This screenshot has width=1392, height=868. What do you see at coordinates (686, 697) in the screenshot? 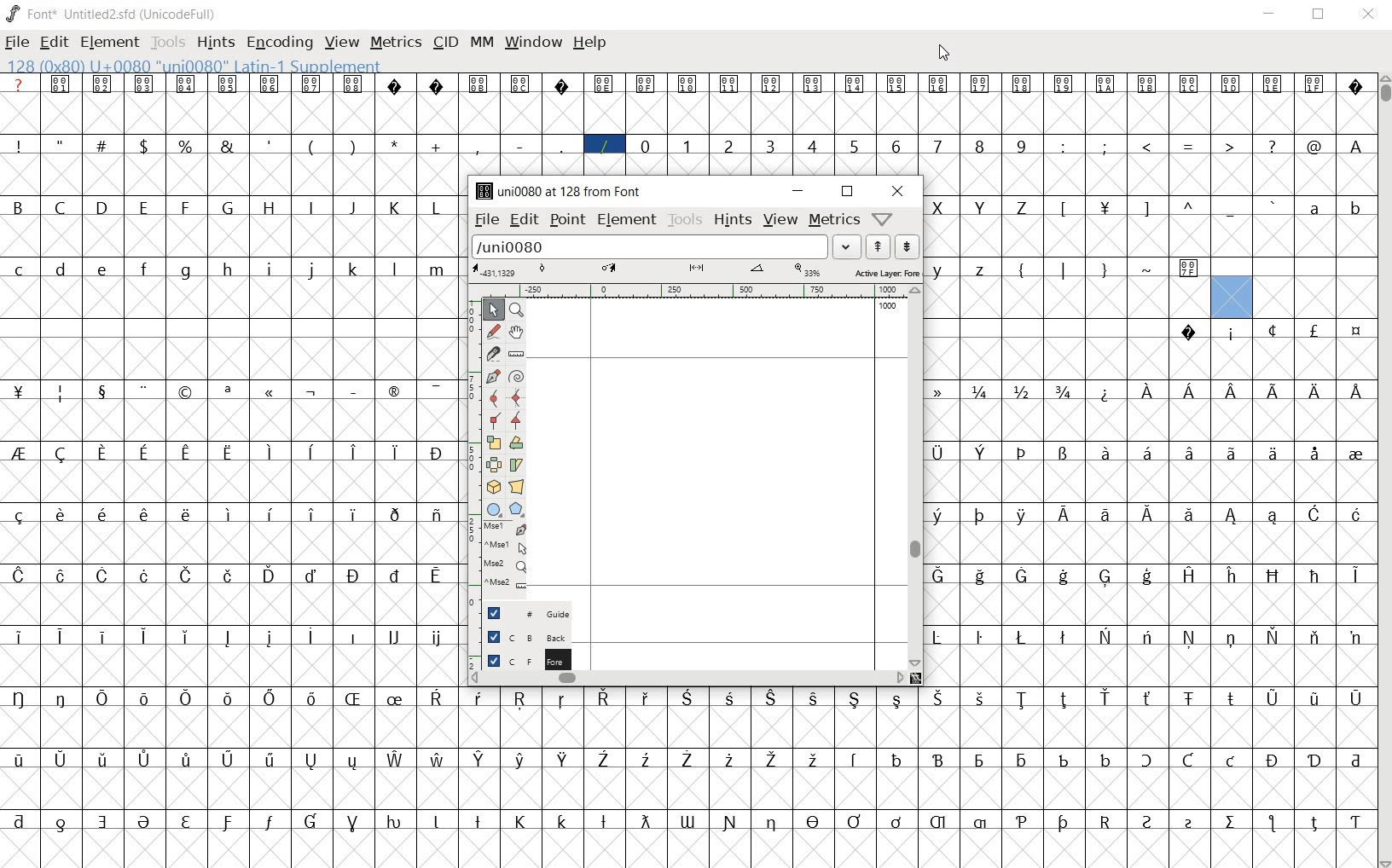
I see `glyph` at bounding box center [686, 697].